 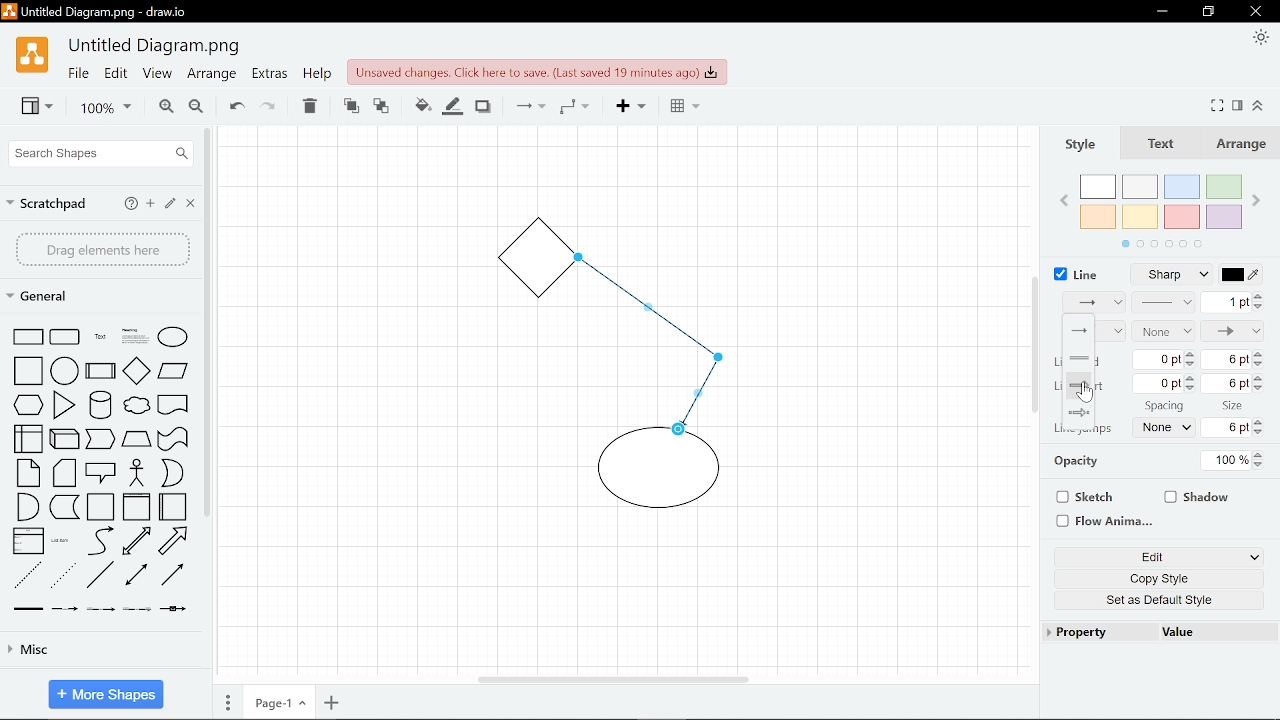 I want to click on shape, so click(x=173, y=336).